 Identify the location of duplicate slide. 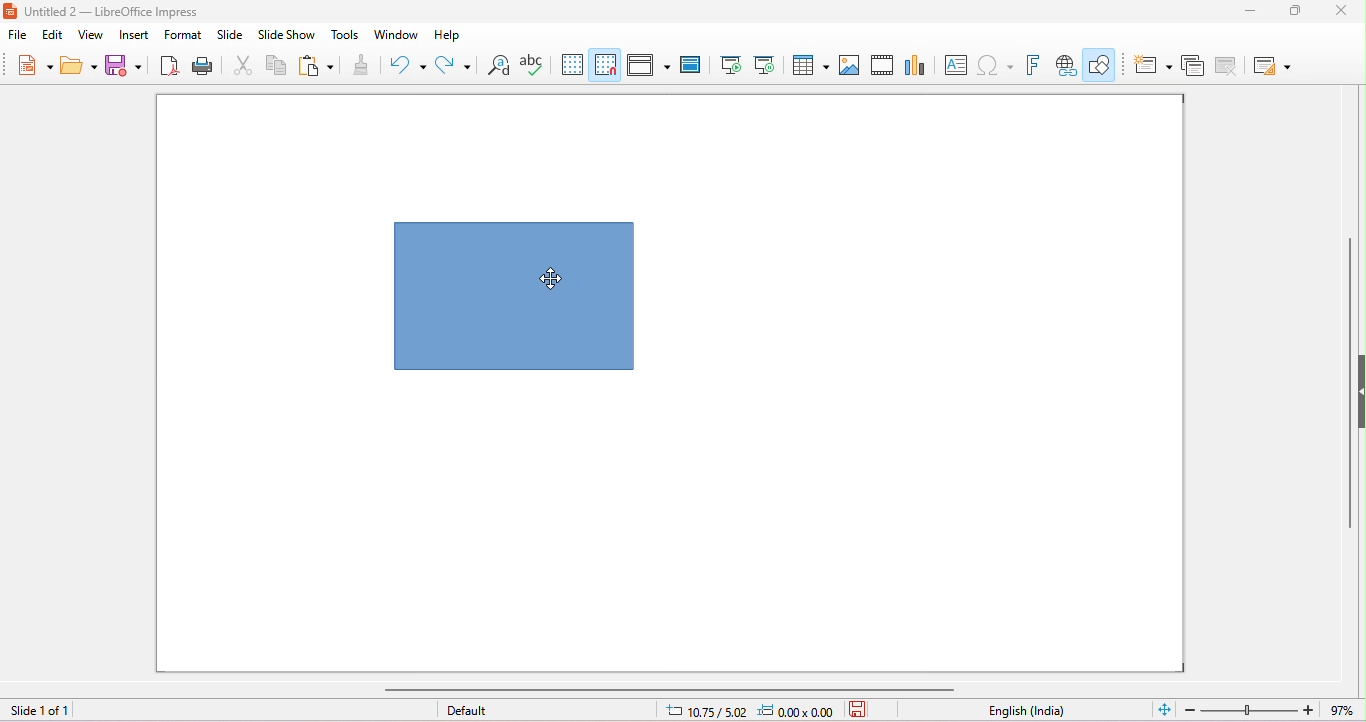
(1193, 68).